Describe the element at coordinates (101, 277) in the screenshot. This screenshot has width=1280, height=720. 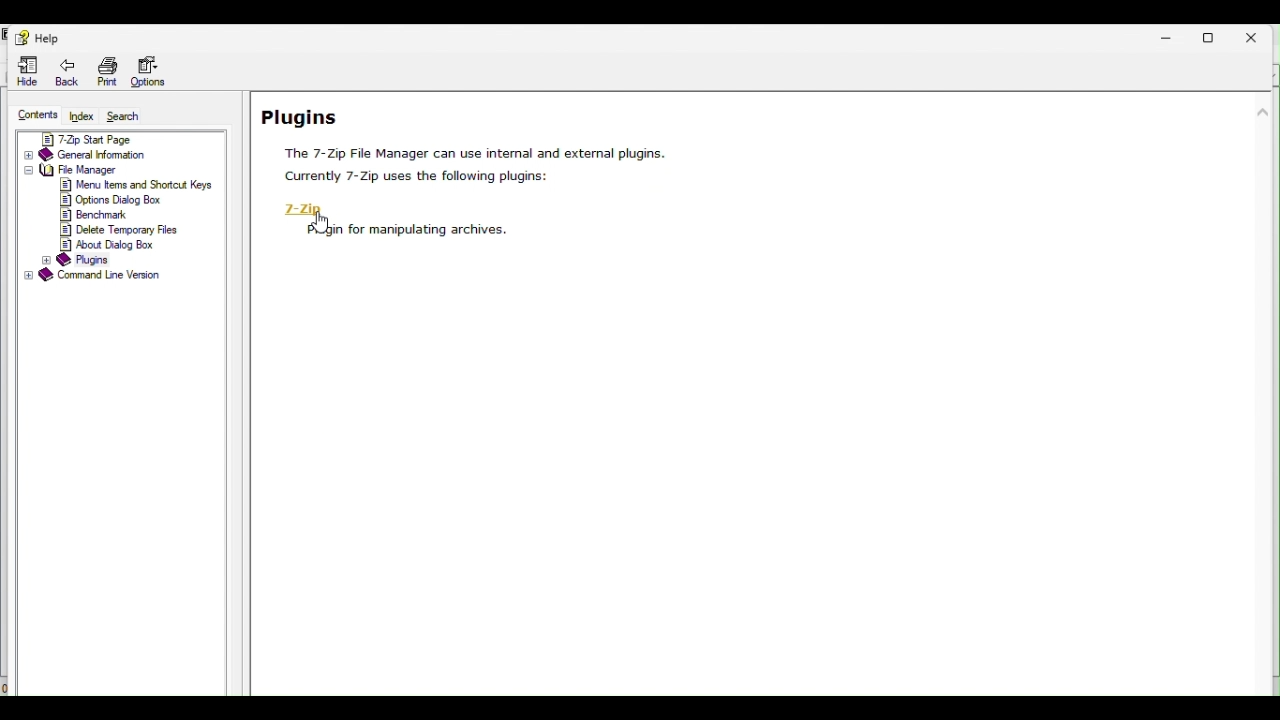
I see `Command line version ` at that location.